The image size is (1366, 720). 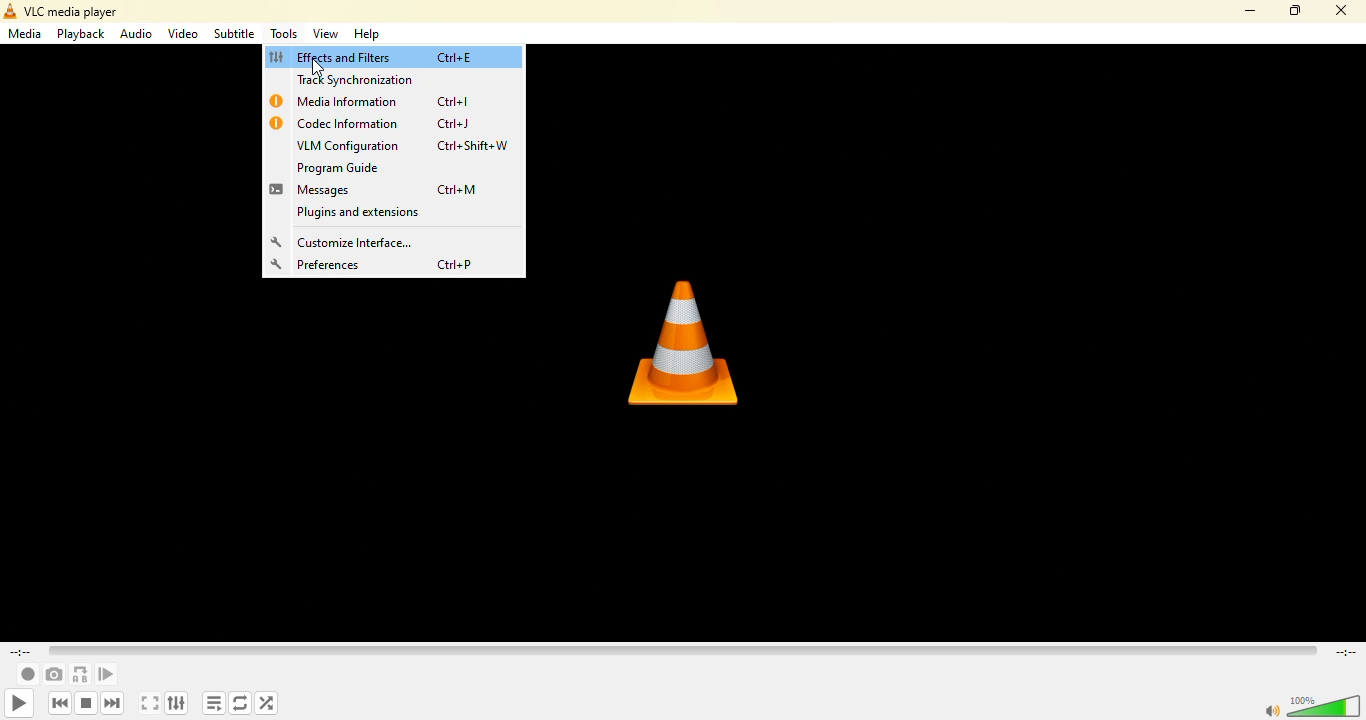 What do you see at coordinates (79, 673) in the screenshot?
I see `loop from point a to point b continuously` at bounding box center [79, 673].